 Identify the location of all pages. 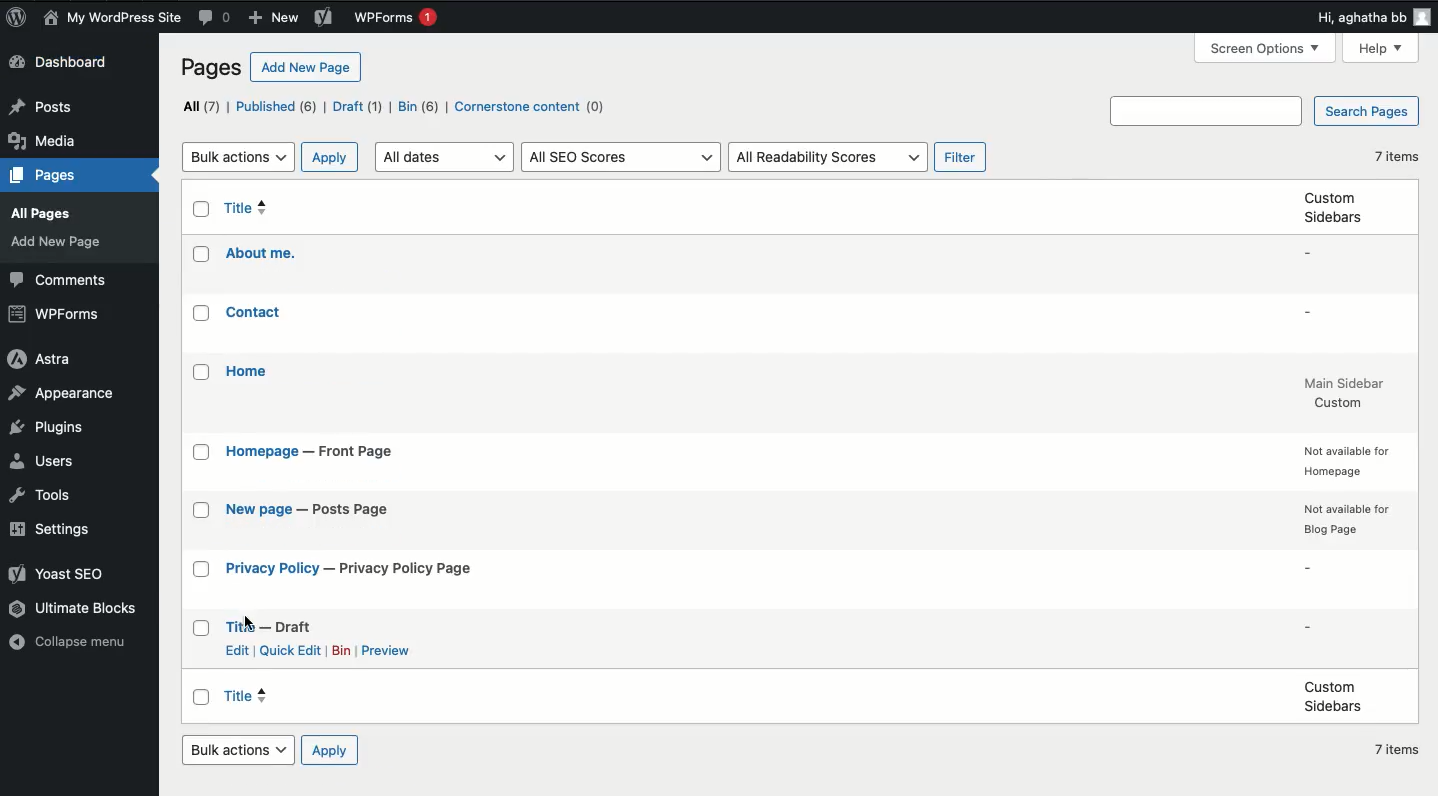
(45, 214).